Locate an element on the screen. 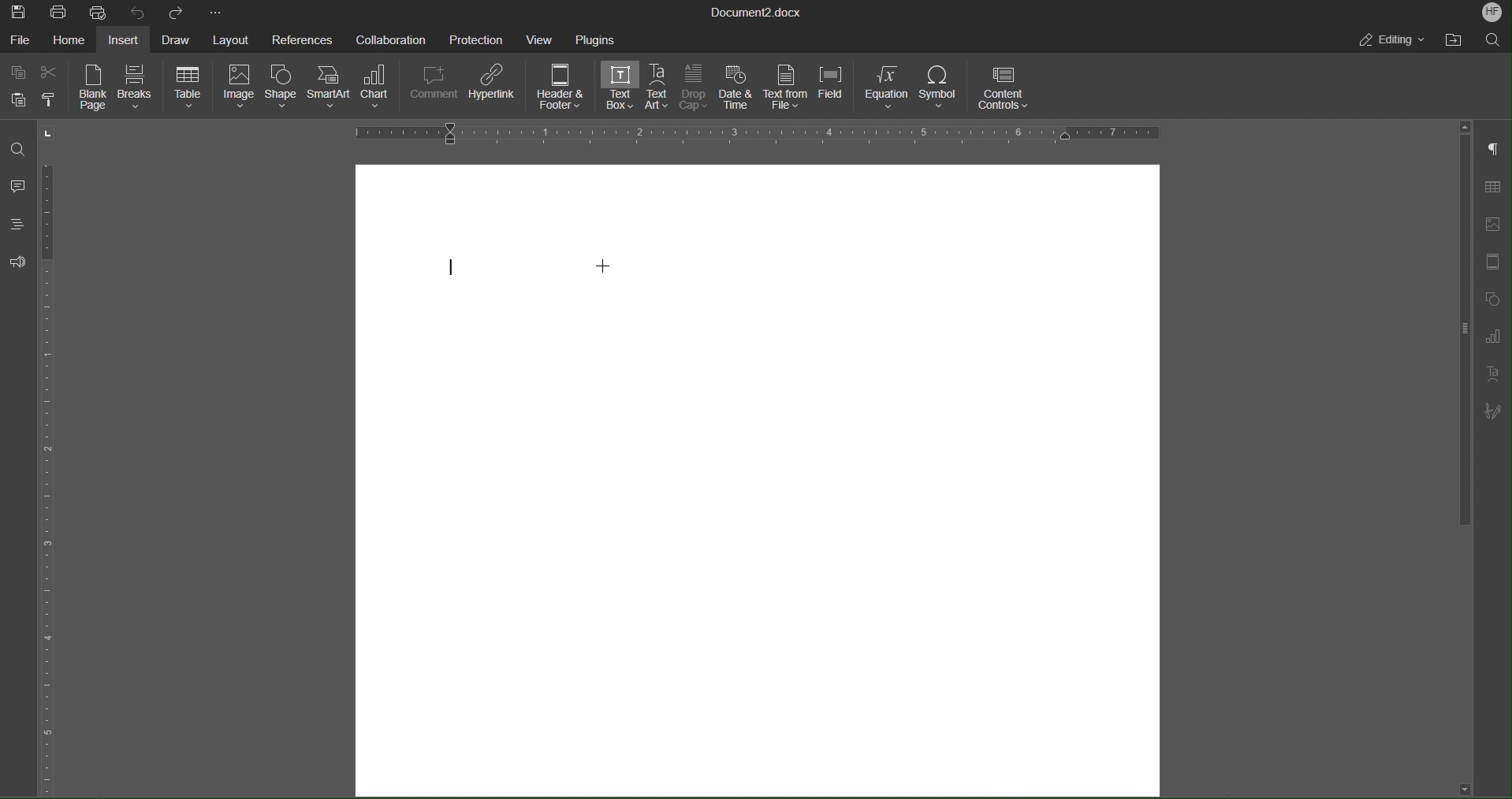 This screenshot has height=799, width=1512. Signature is located at coordinates (1492, 412).